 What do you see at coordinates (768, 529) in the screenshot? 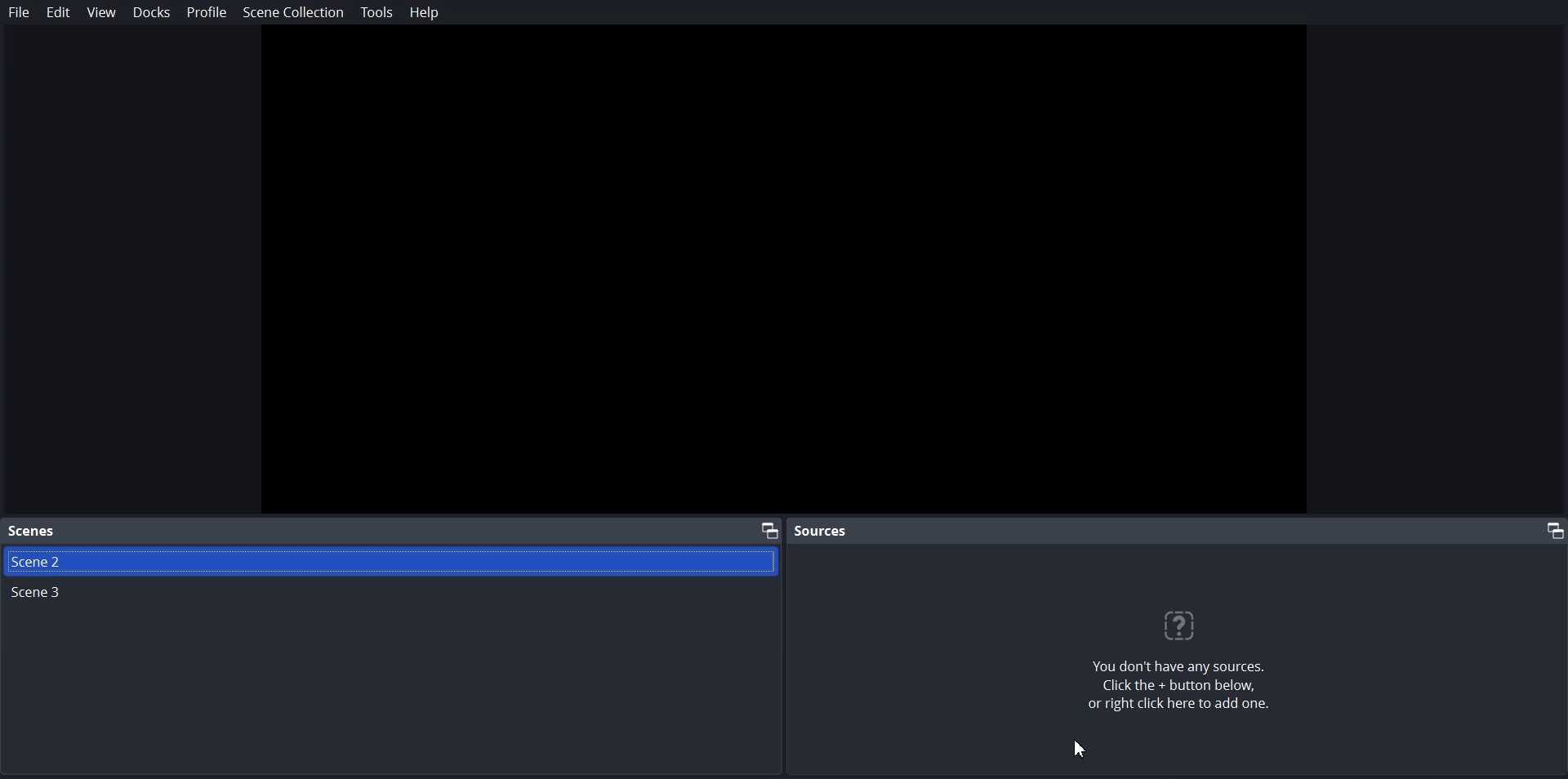
I see `Maximize` at bounding box center [768, 529].